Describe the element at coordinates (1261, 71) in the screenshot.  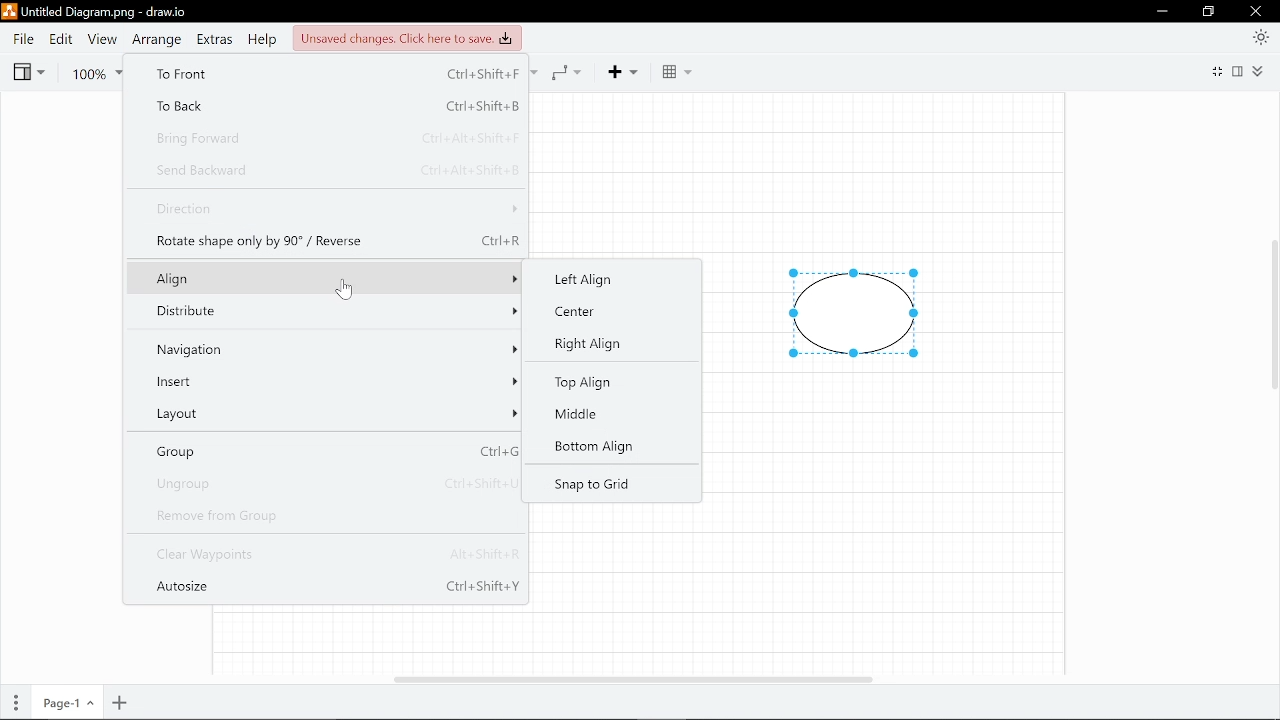
I see `Collapse/expand` at that location.